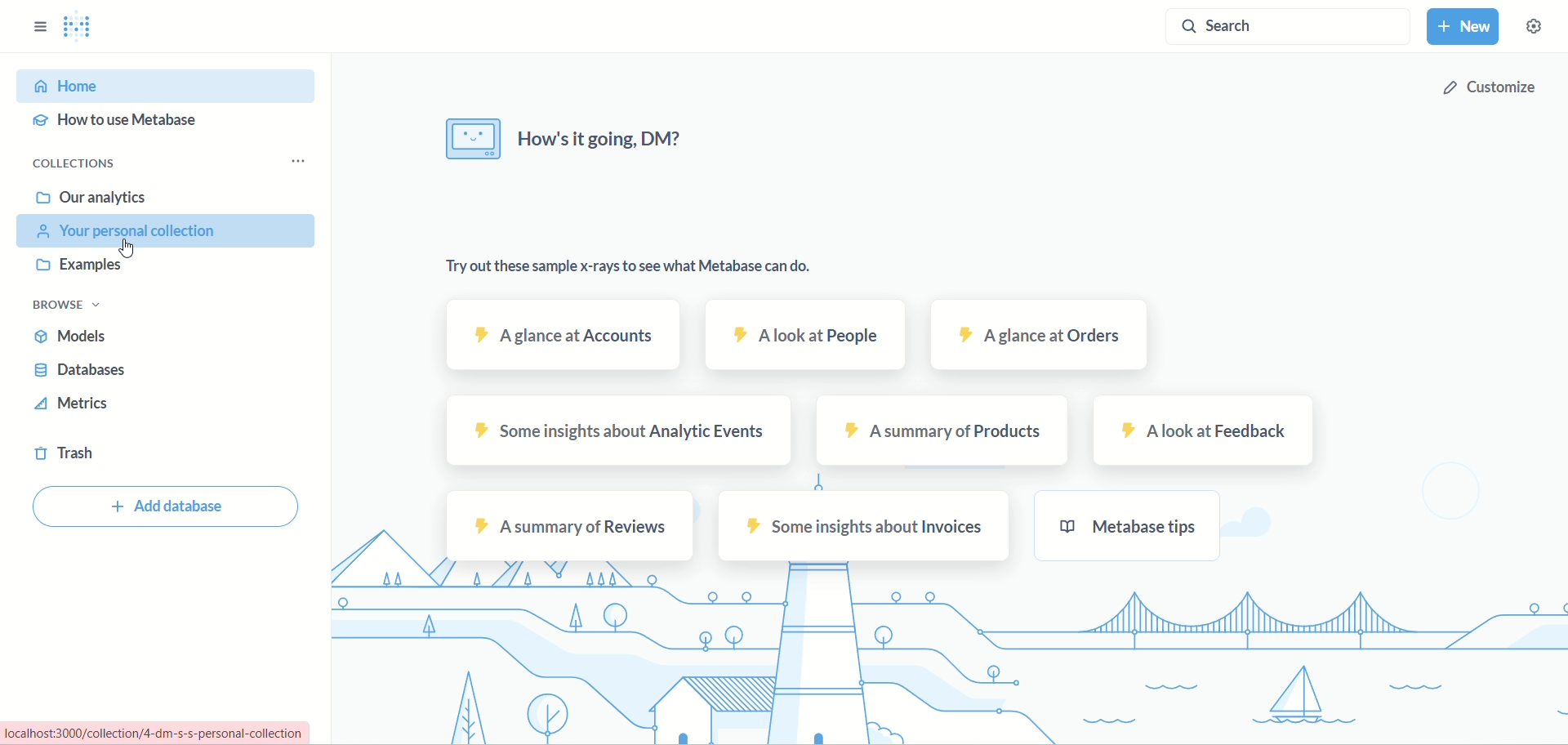  What do you see at coordinates (1487, 88) in the screenshot?
I see `customize` at bounding box center [1487, 88].